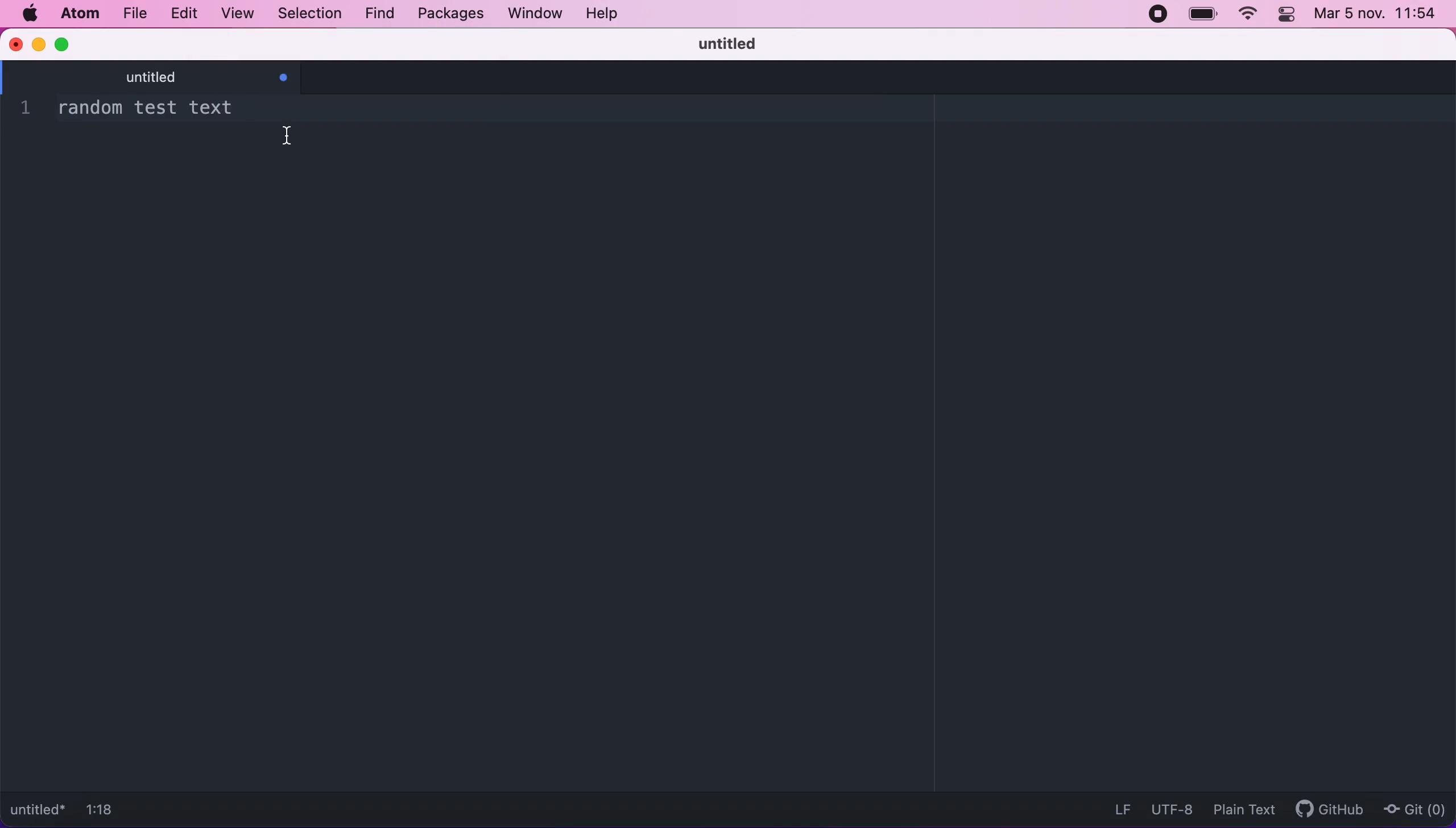  Describe the element at coordinates (1240, 809) in the screenshot. I see `plain text` at that location.